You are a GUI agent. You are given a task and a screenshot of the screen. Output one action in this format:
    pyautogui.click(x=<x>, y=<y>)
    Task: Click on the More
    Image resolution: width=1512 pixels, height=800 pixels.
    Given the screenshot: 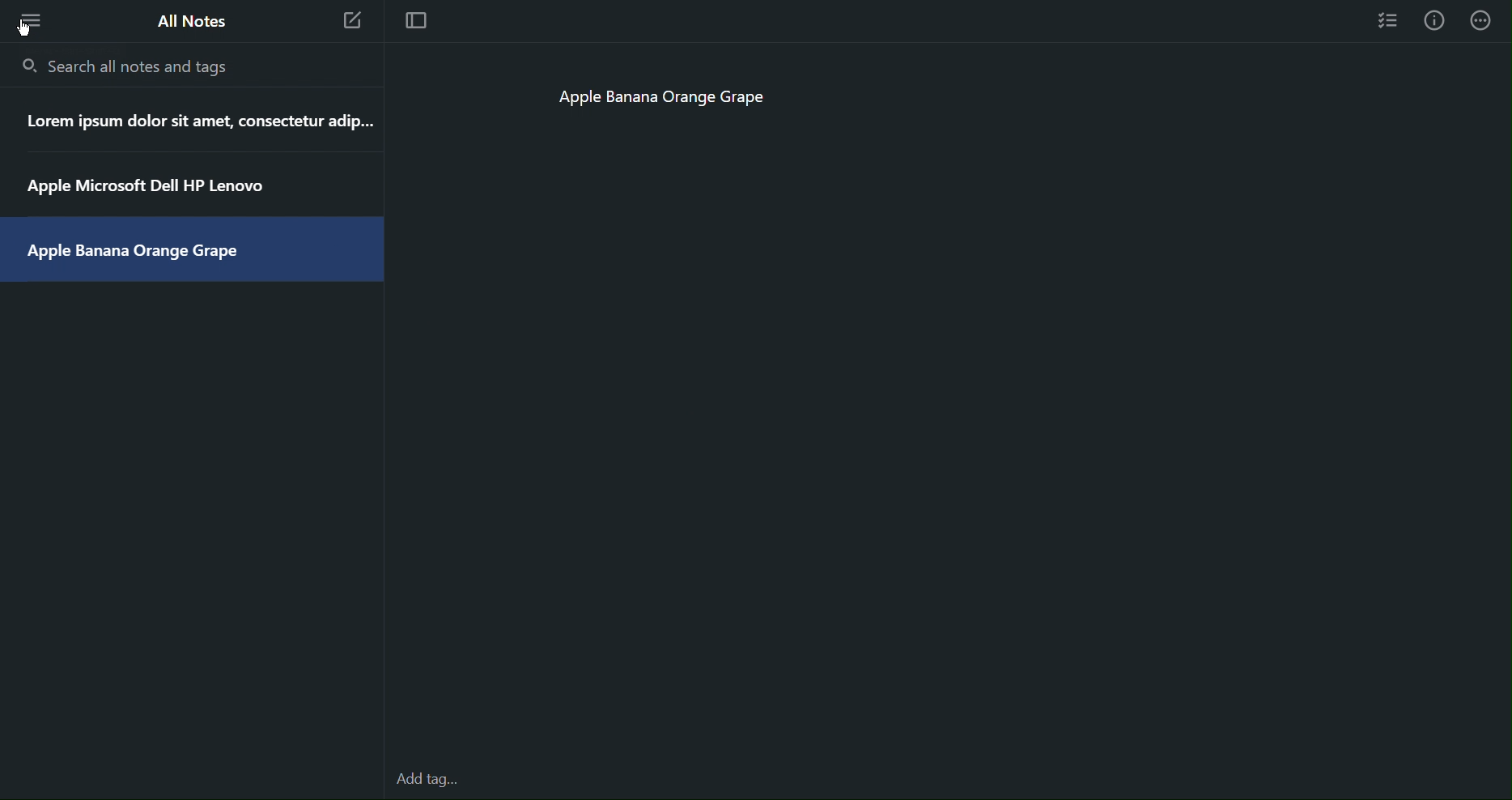 What is the action you would take?
    pyautogui.click(x=1483, y=20)
    